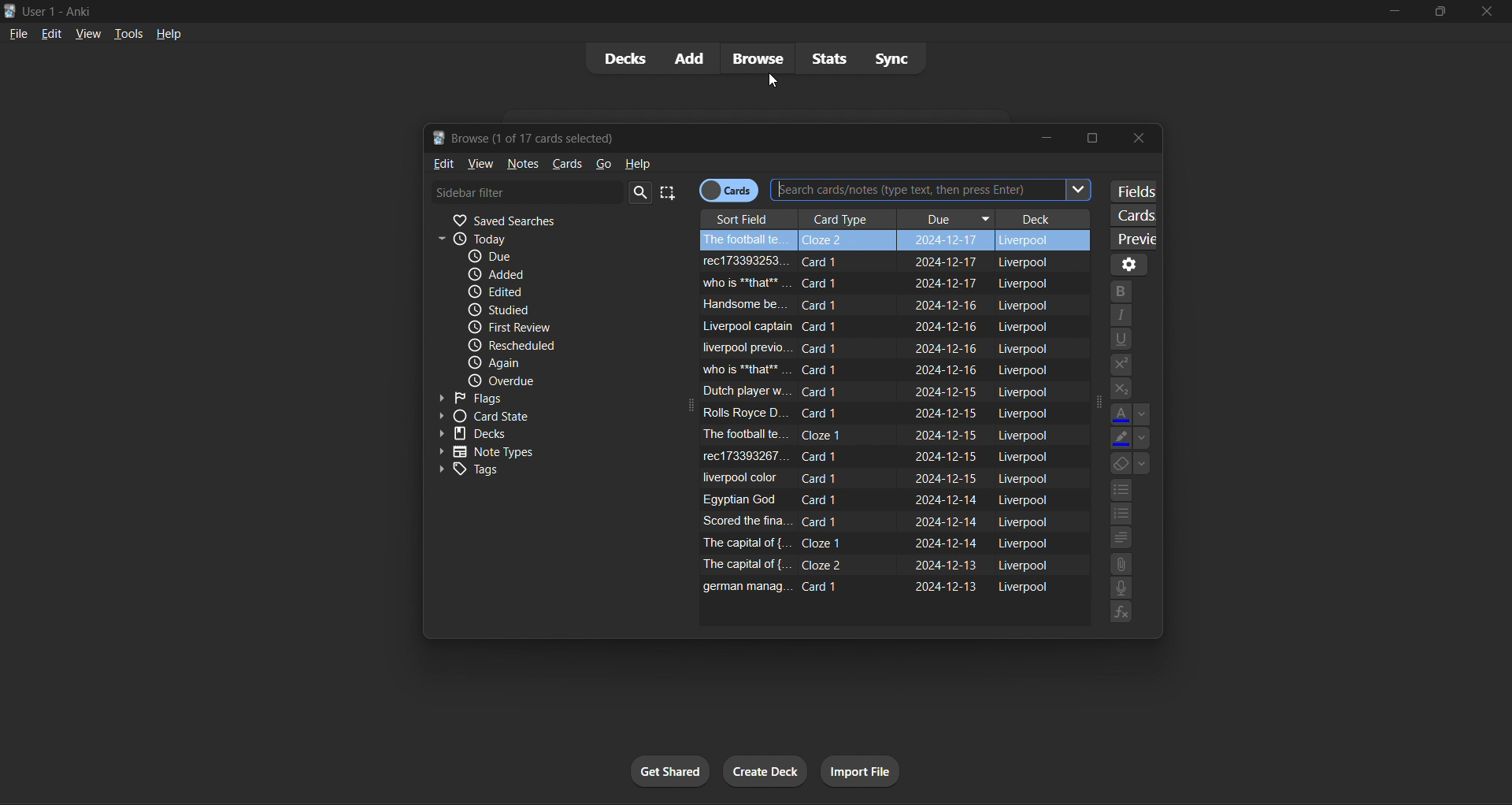  Describe the element at coordinates (749, 391) in the screenshot. I see `field` at that location.